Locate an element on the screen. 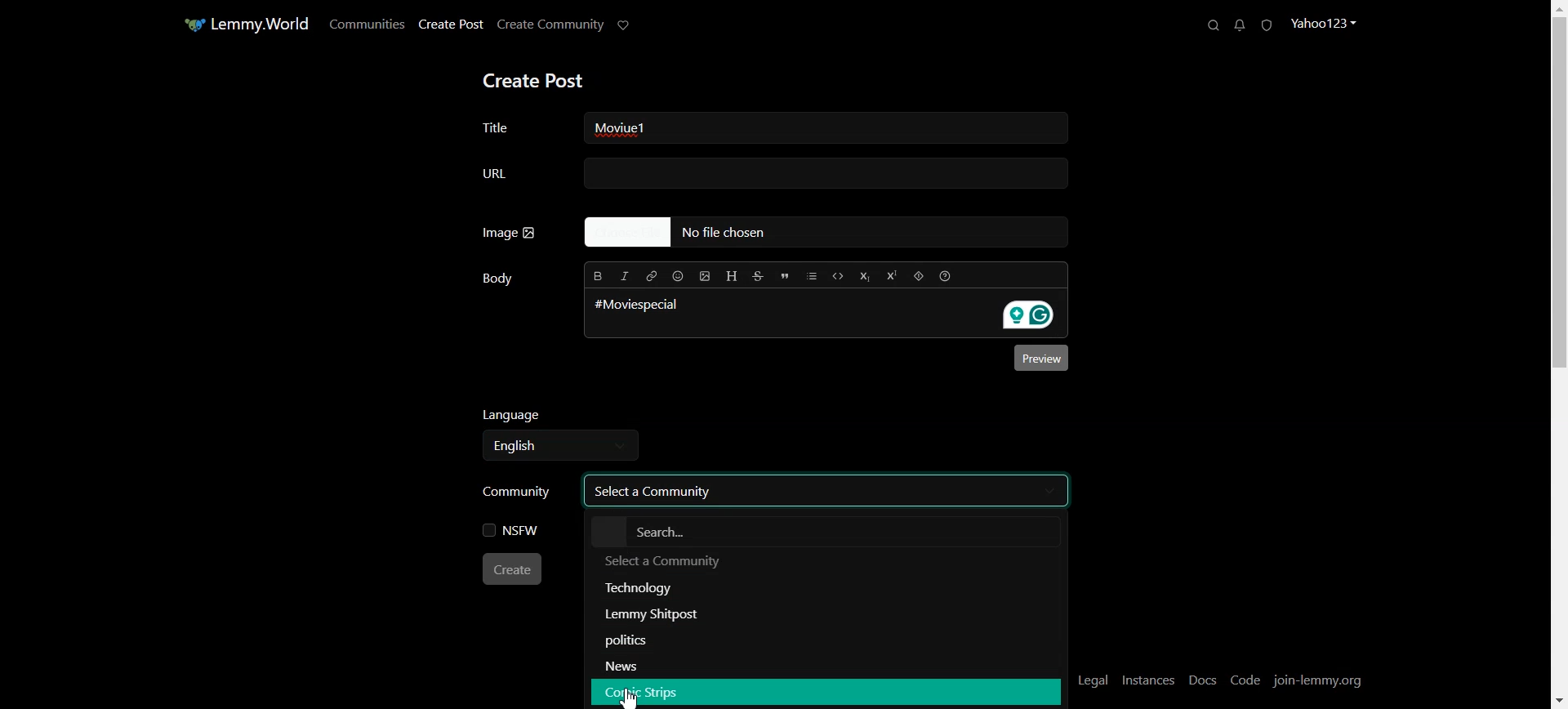 This screenshot has height=709, width=1568. Body is located at coordinates (506, 279).